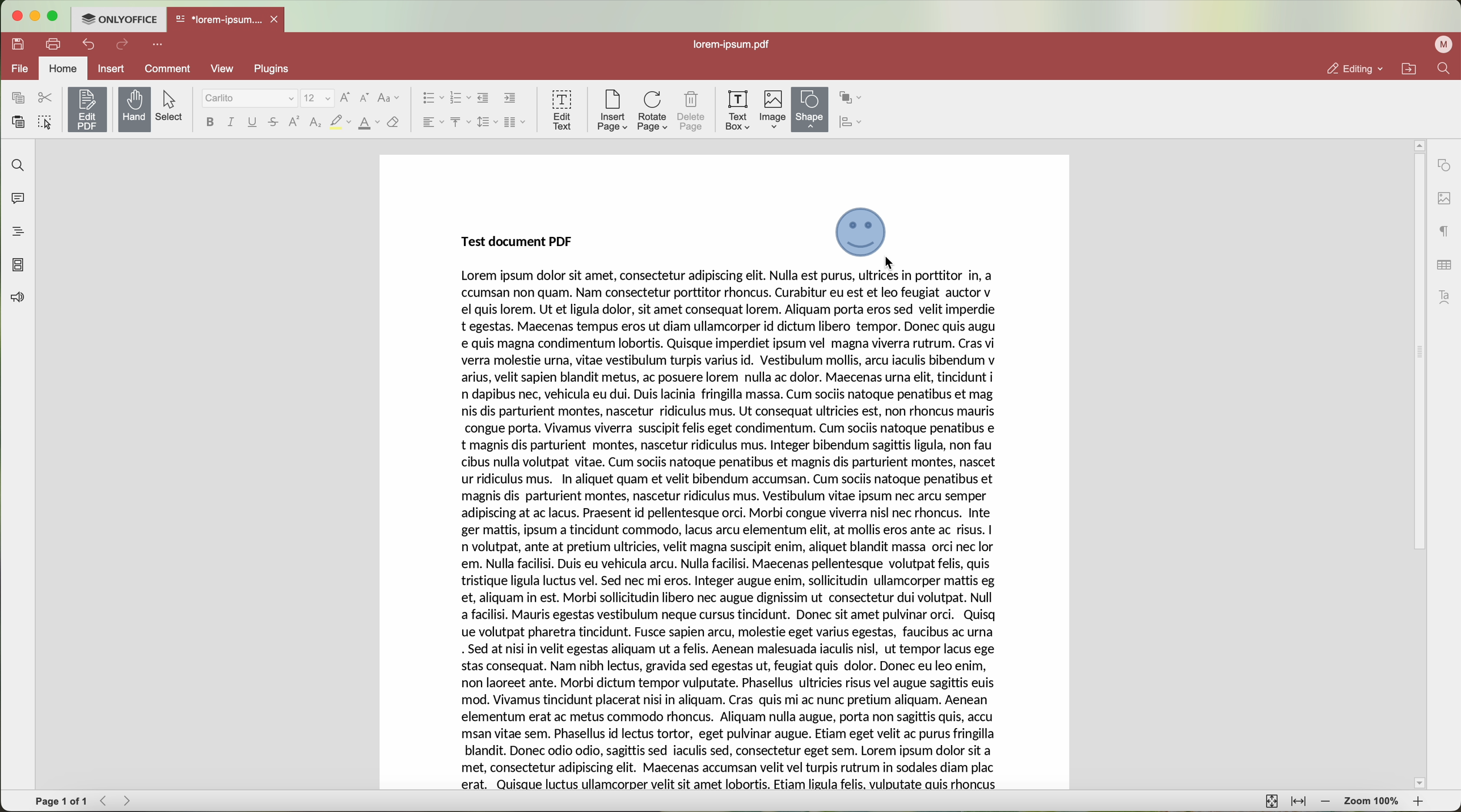 The height and width of the screenshot is (812, 1461). I want to click on underline, so click(253, 122).